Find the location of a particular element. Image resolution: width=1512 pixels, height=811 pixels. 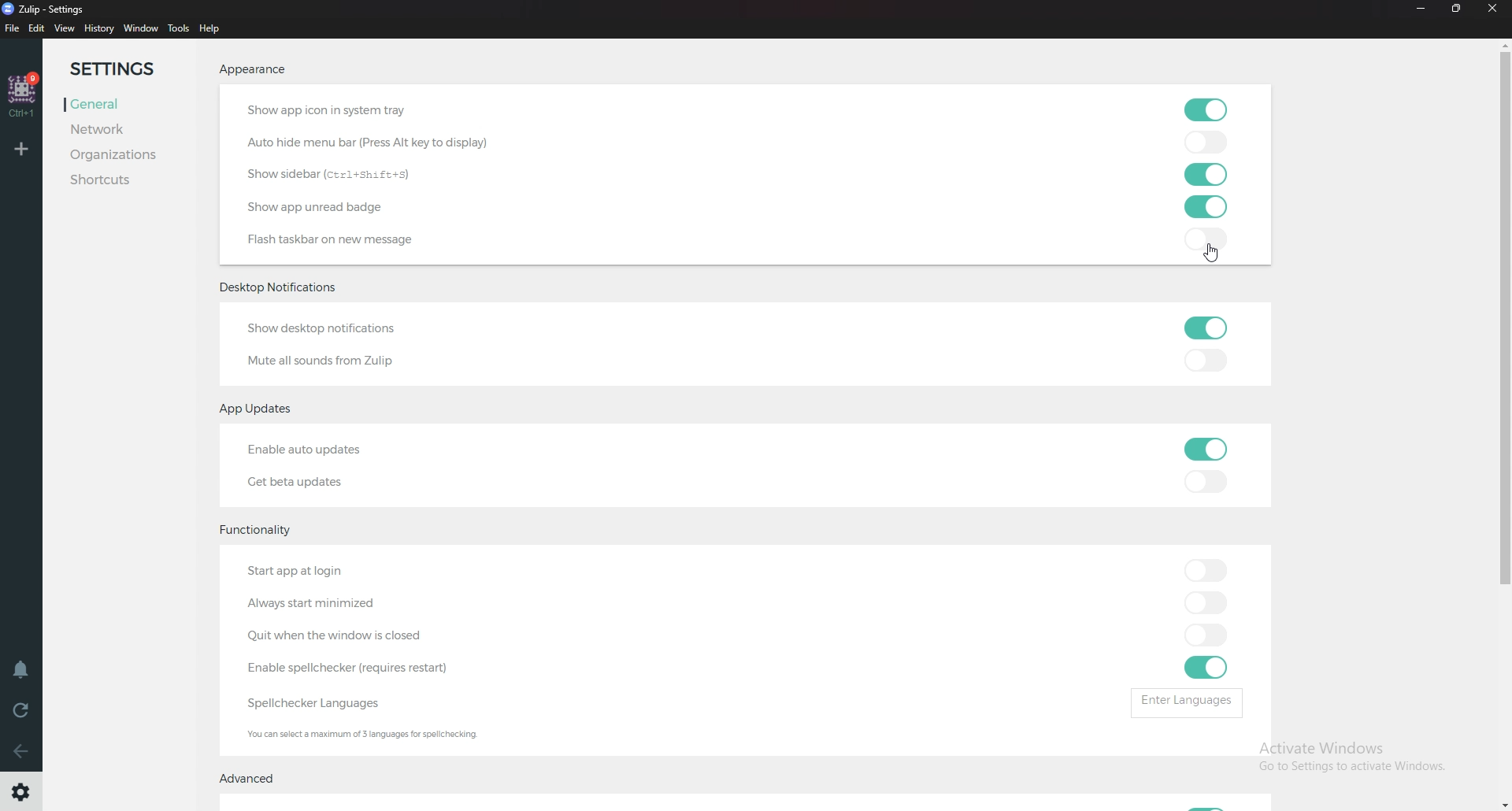

General is located at coordinates (120, 102).